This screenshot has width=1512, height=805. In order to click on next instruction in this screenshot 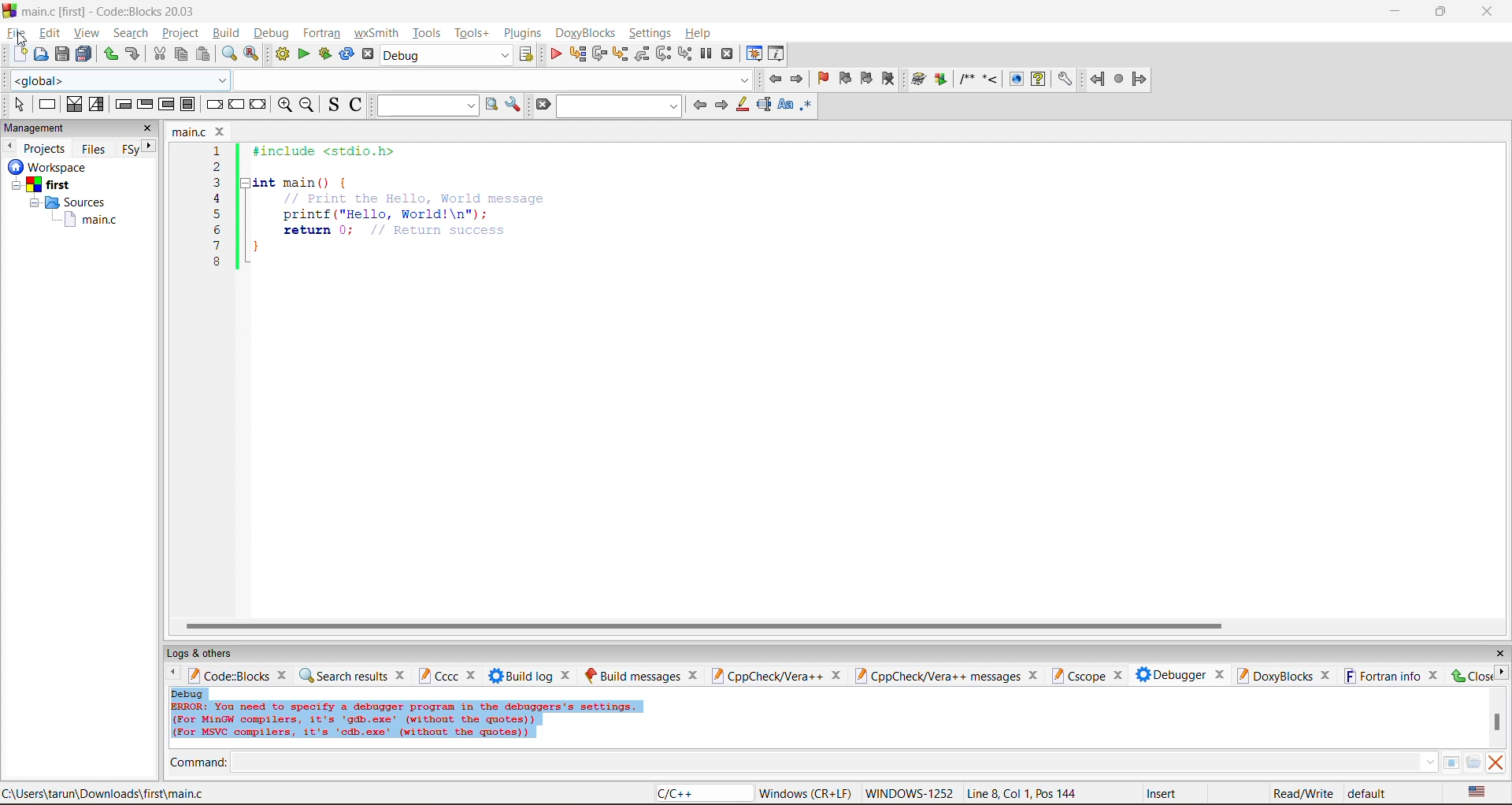, I will do `click(663, 54)`.